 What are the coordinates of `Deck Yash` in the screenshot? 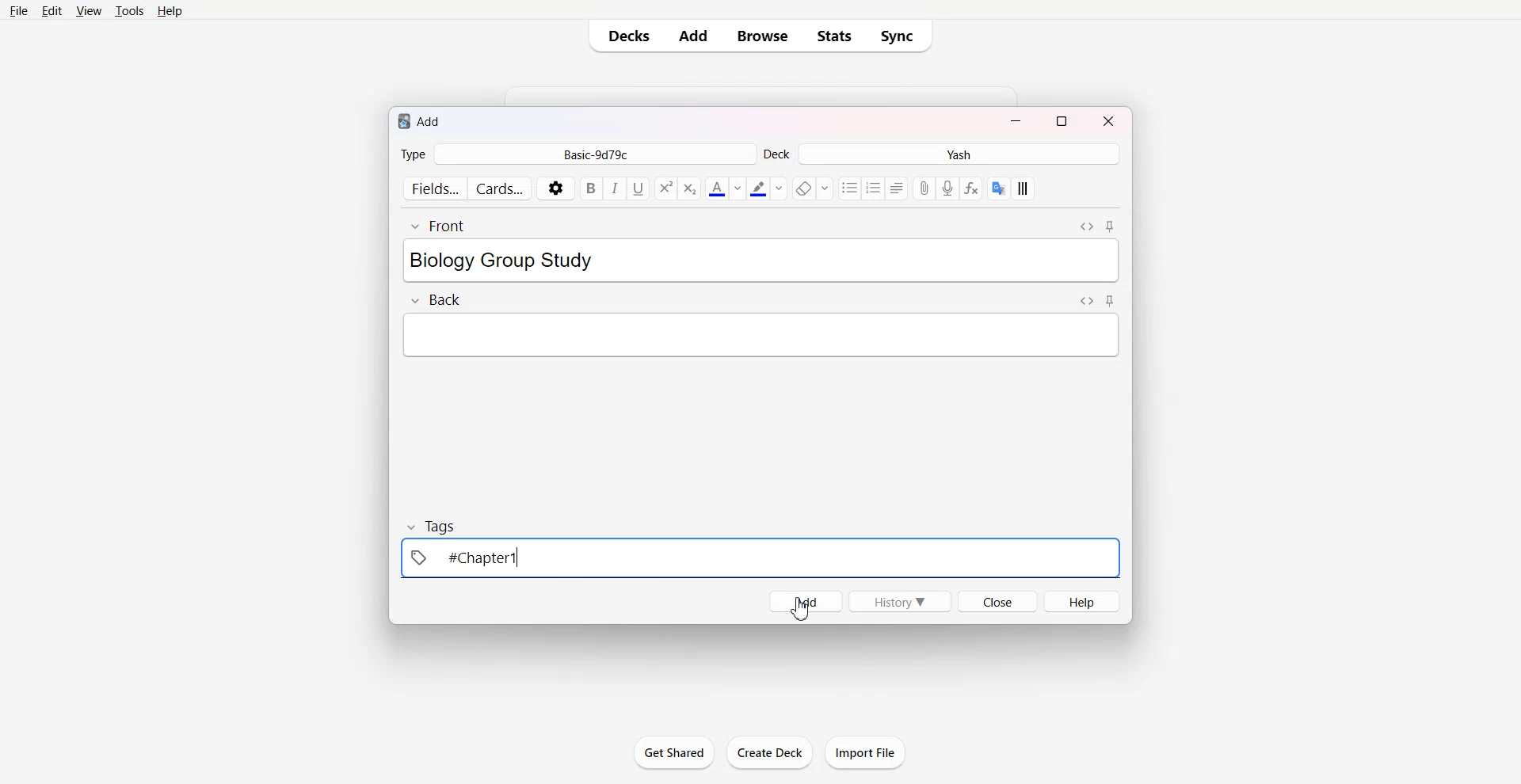 It's located at (943, 154).